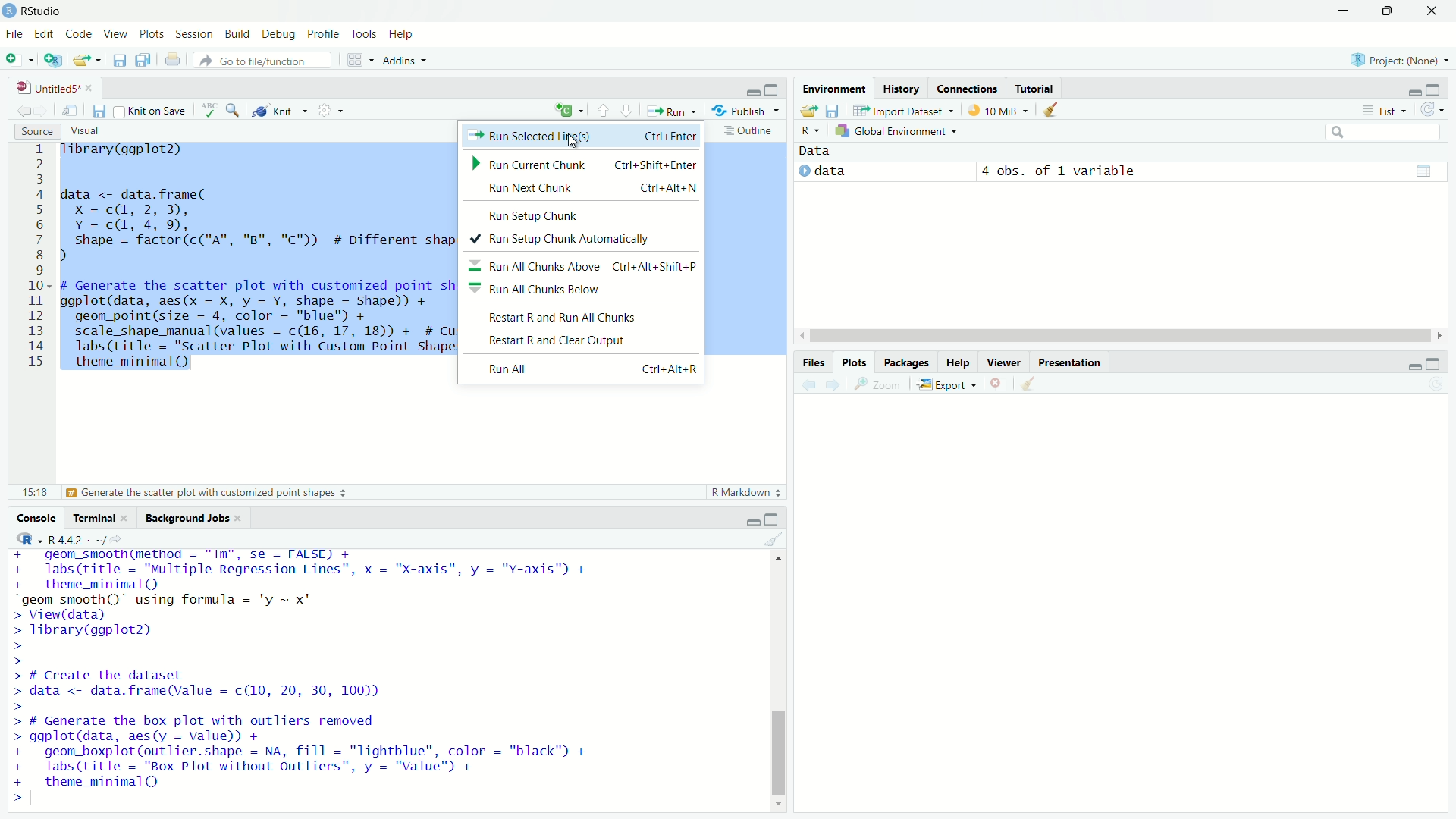 Image resolution: width=1456 pixels, height=819 pixels. What do you see at coordinates (1028, 383) in the screenshot?
I see `Clear all plots` at bounding box center [1028, 383].